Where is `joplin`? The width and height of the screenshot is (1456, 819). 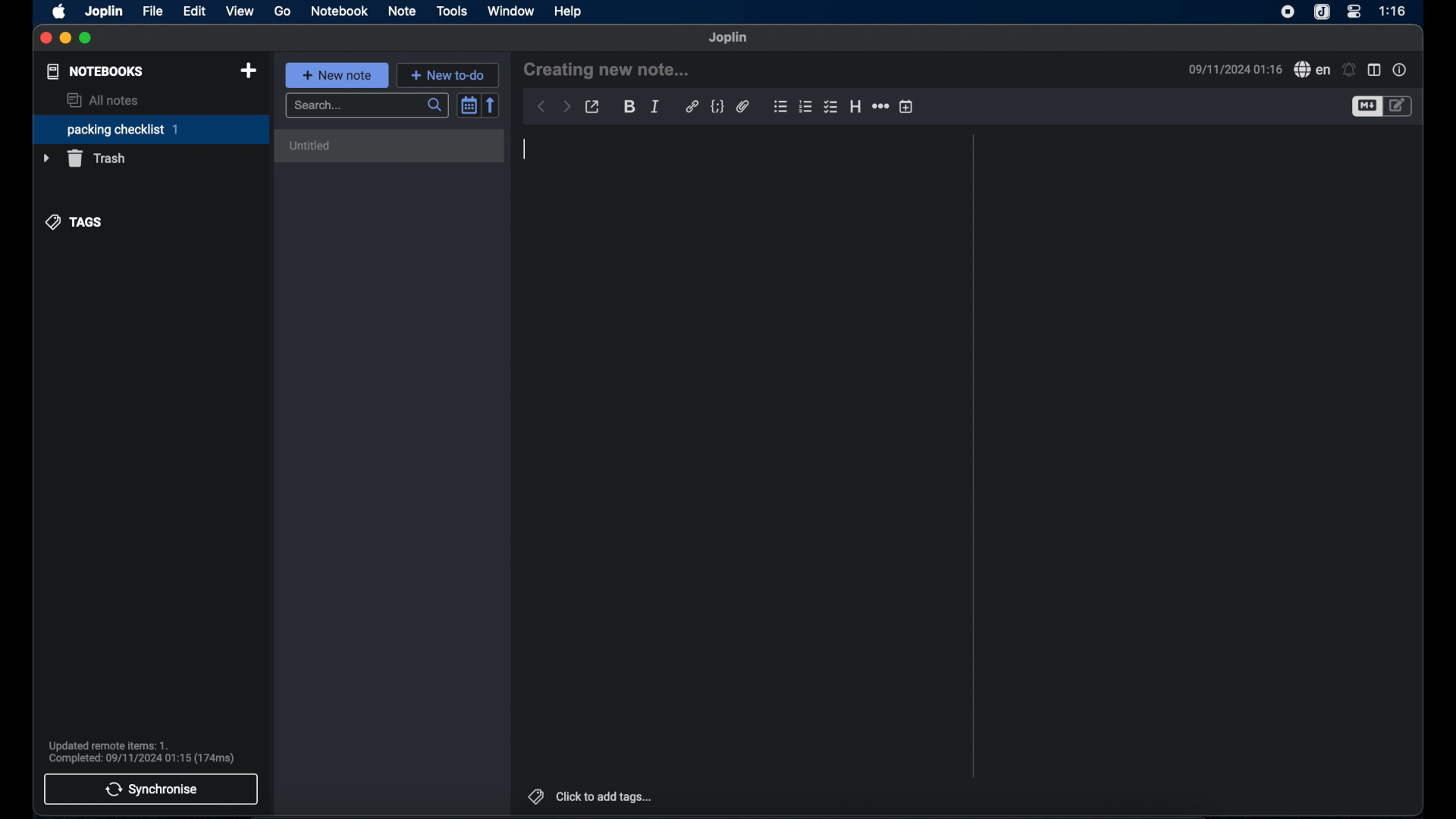
joplin is located at coordinates (105, 12).